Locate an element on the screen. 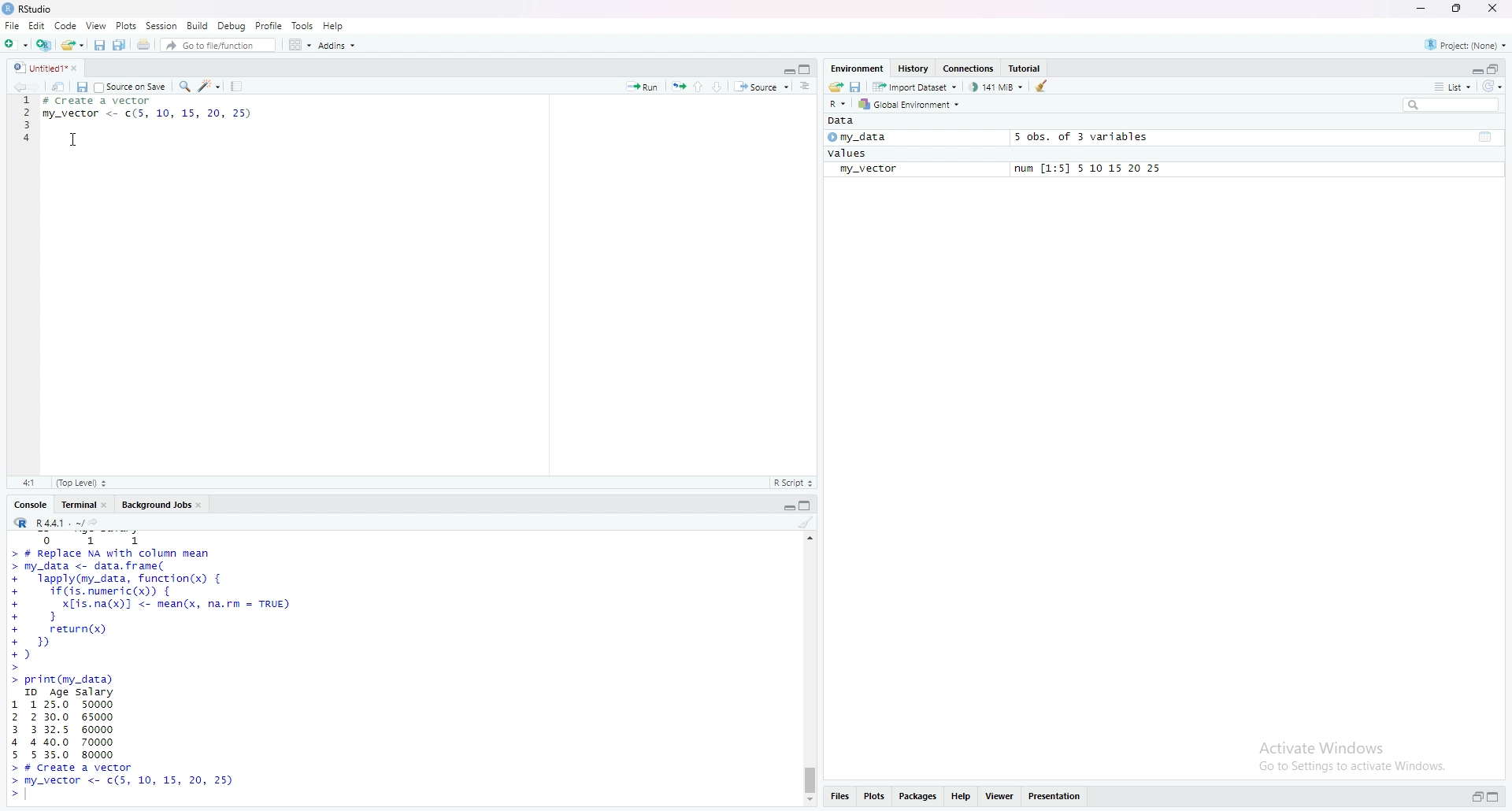 The image size is (1512, 811). scrollbar is located at coordinates (810, 668).